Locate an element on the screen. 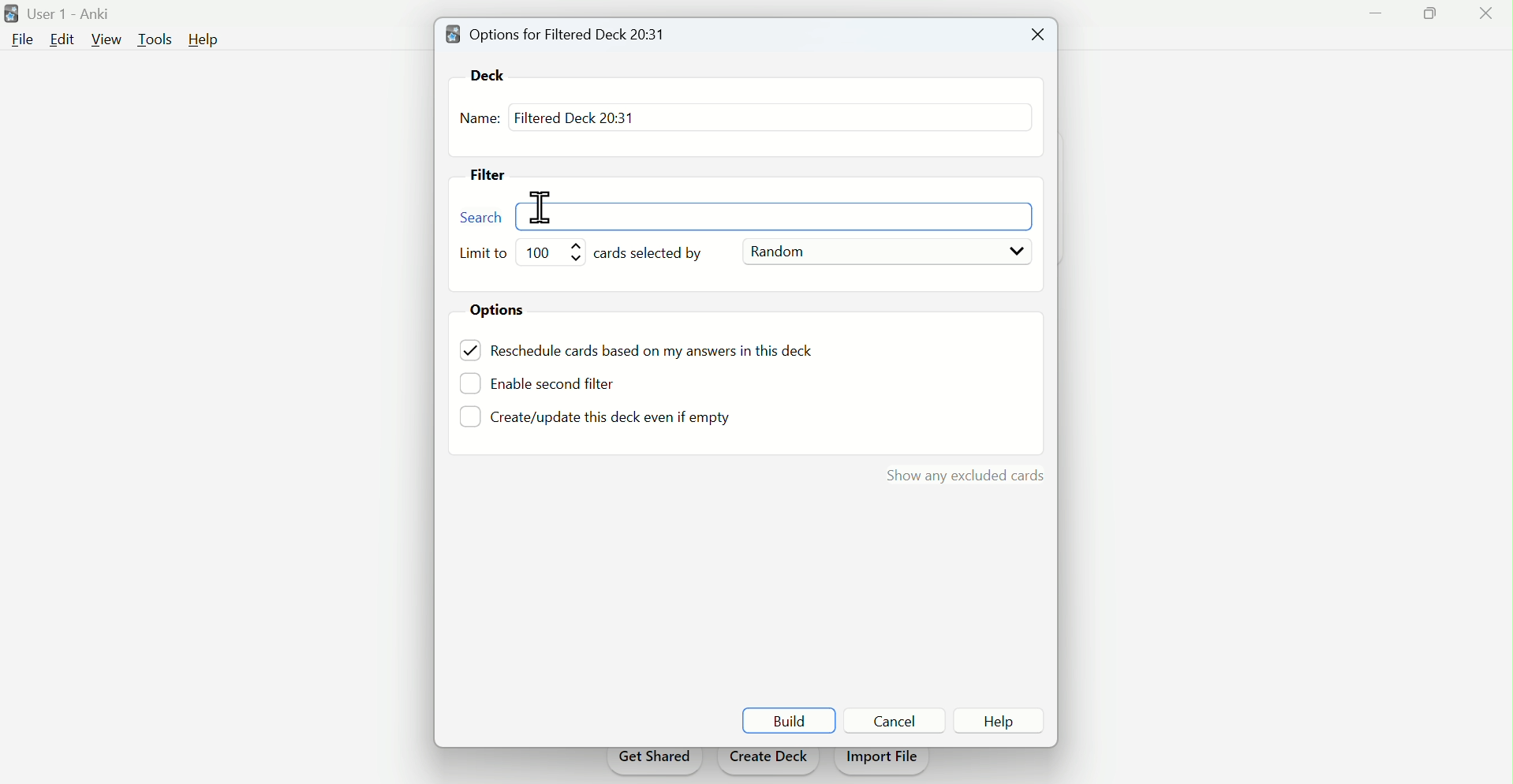 This screenshot has width=1513, height=784. Dek is located at coordinates (494, 74).